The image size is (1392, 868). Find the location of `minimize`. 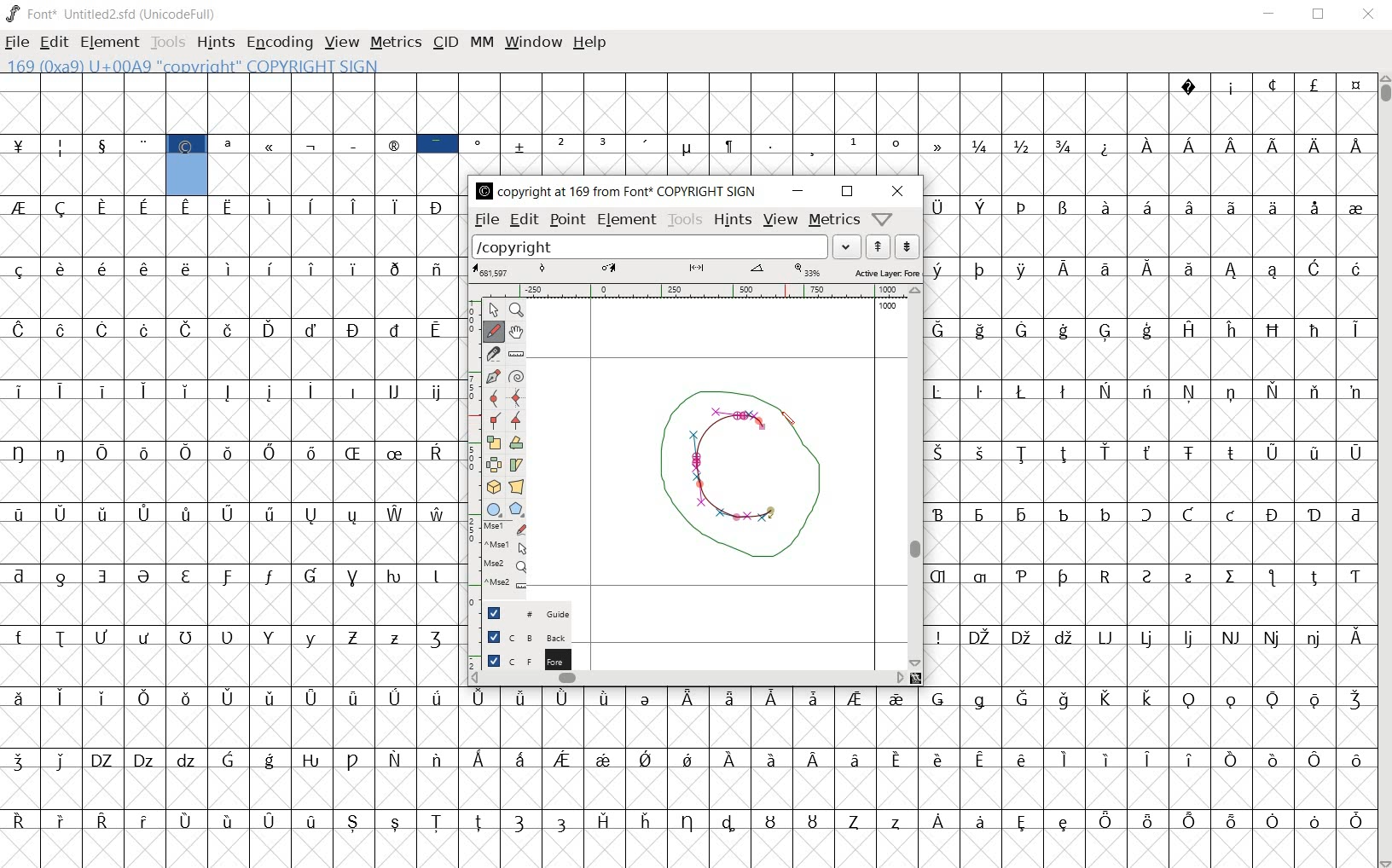

minimize is located at coordinates (1269, 14).